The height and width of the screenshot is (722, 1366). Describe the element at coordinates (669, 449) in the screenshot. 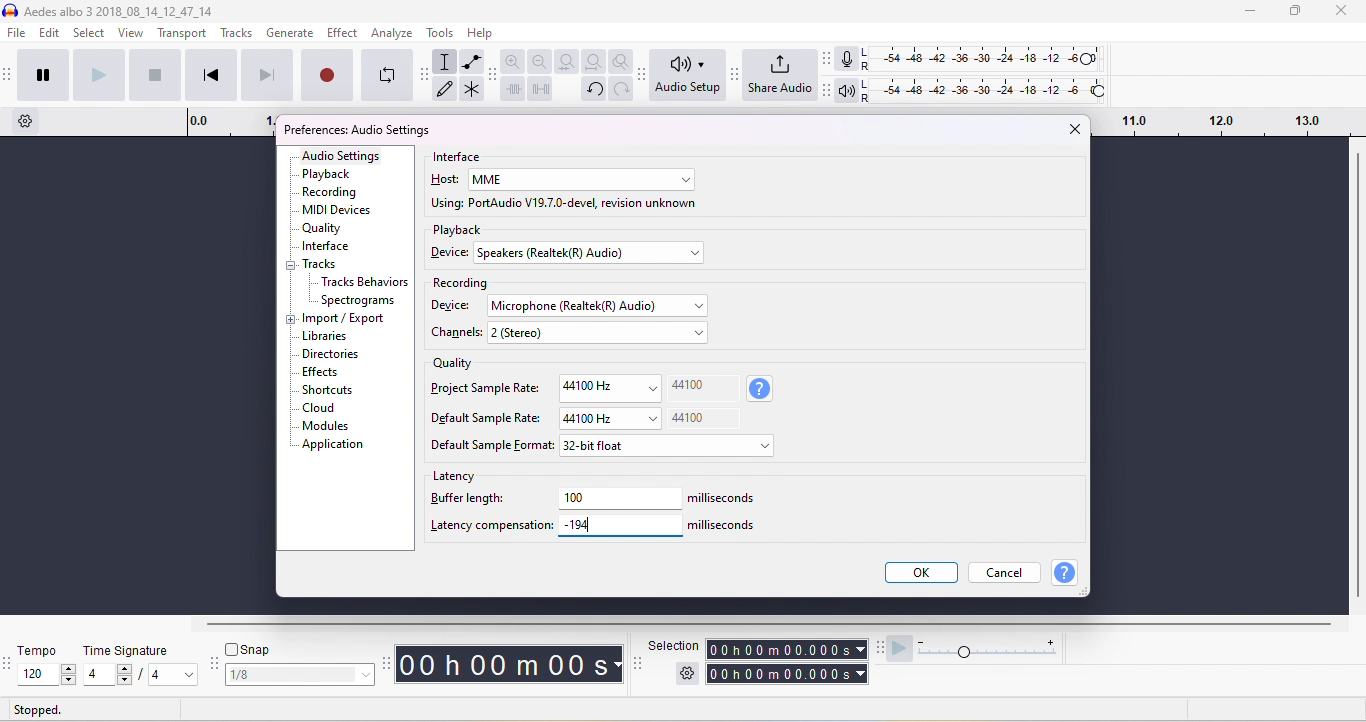

I see `select default sample format` at that location.